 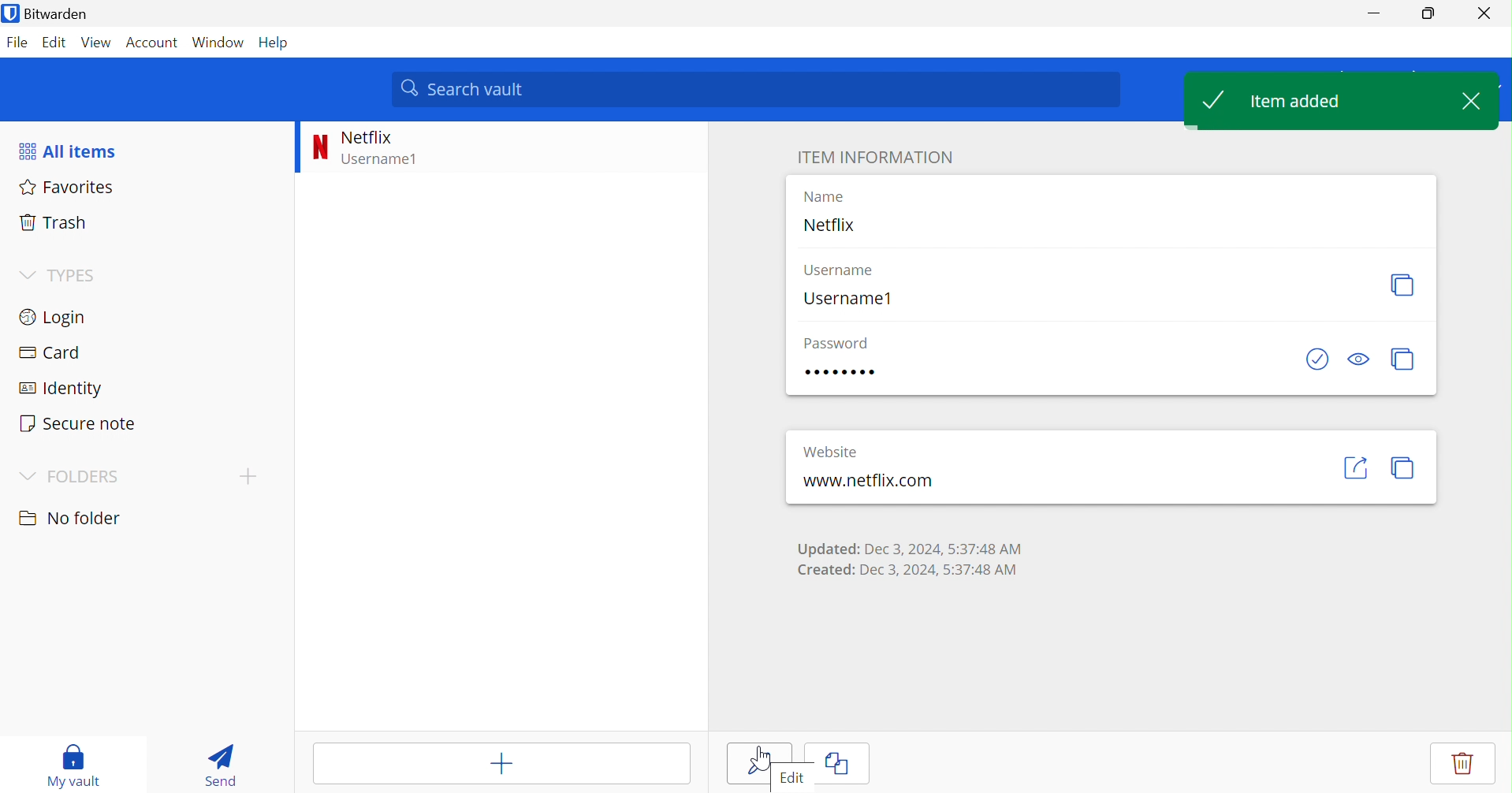 I want to click on Secure note, so click(x=80, y=422).